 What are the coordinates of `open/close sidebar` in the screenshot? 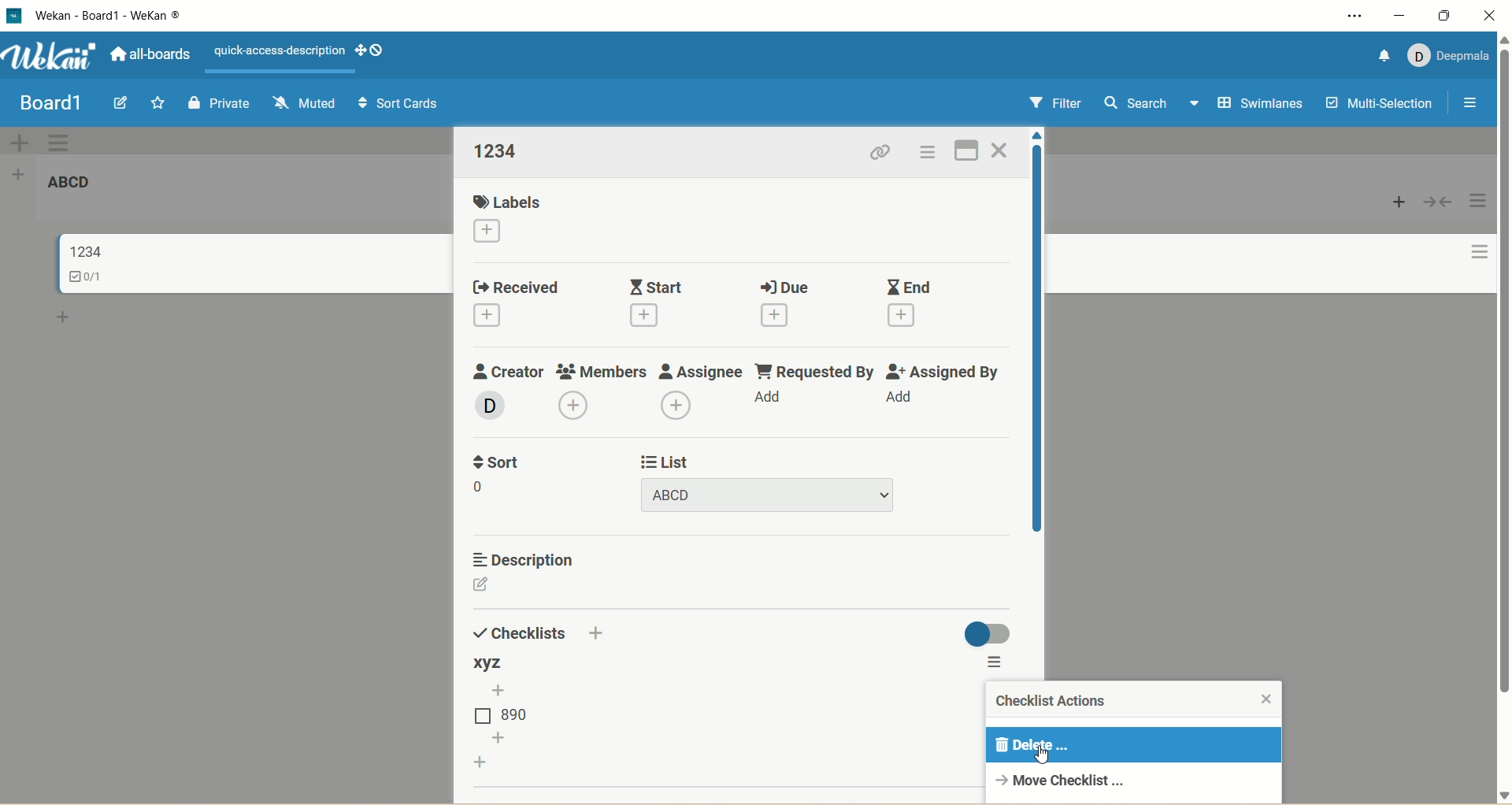 It's located at (1471, 103).